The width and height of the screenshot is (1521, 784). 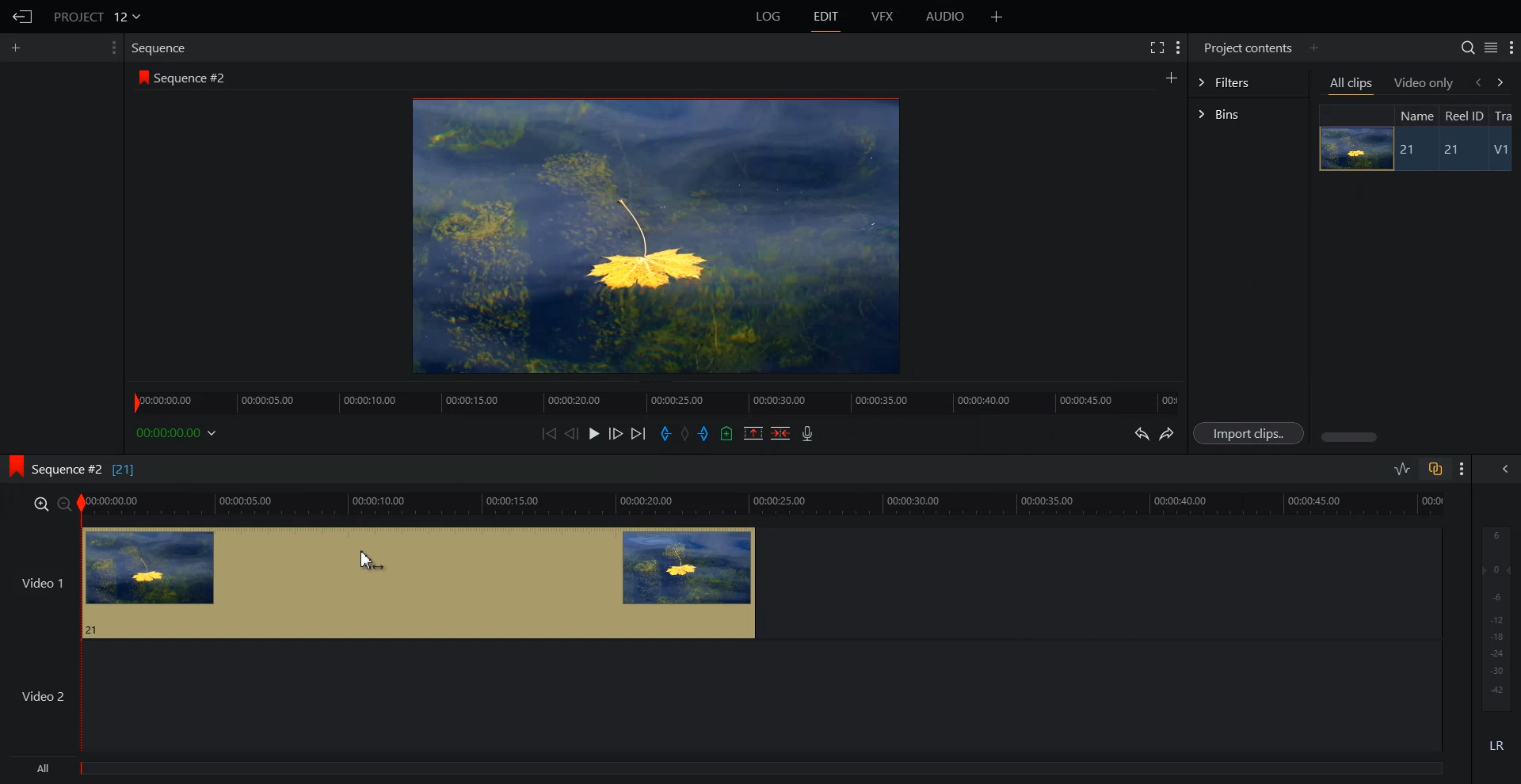 I want to click on Horizontal scroll bar, so click(x=1351, y=437).